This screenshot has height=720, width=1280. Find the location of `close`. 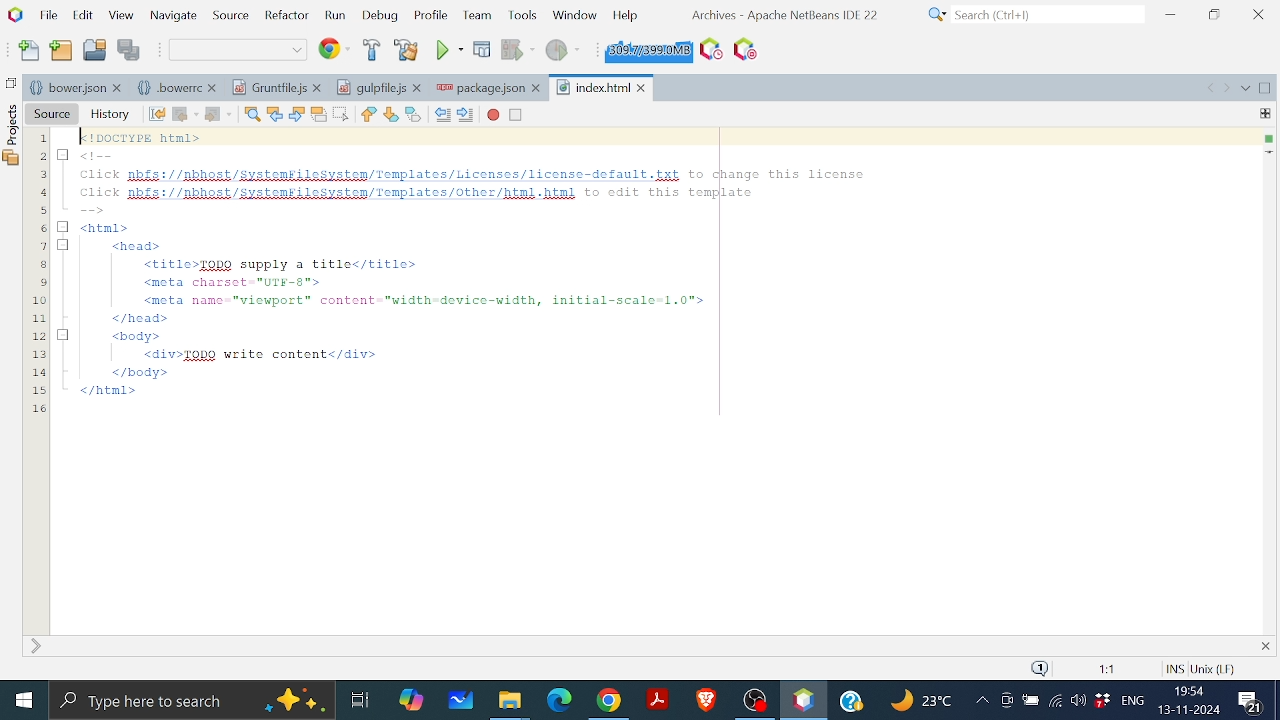

close is located at coordinates (118, 87).